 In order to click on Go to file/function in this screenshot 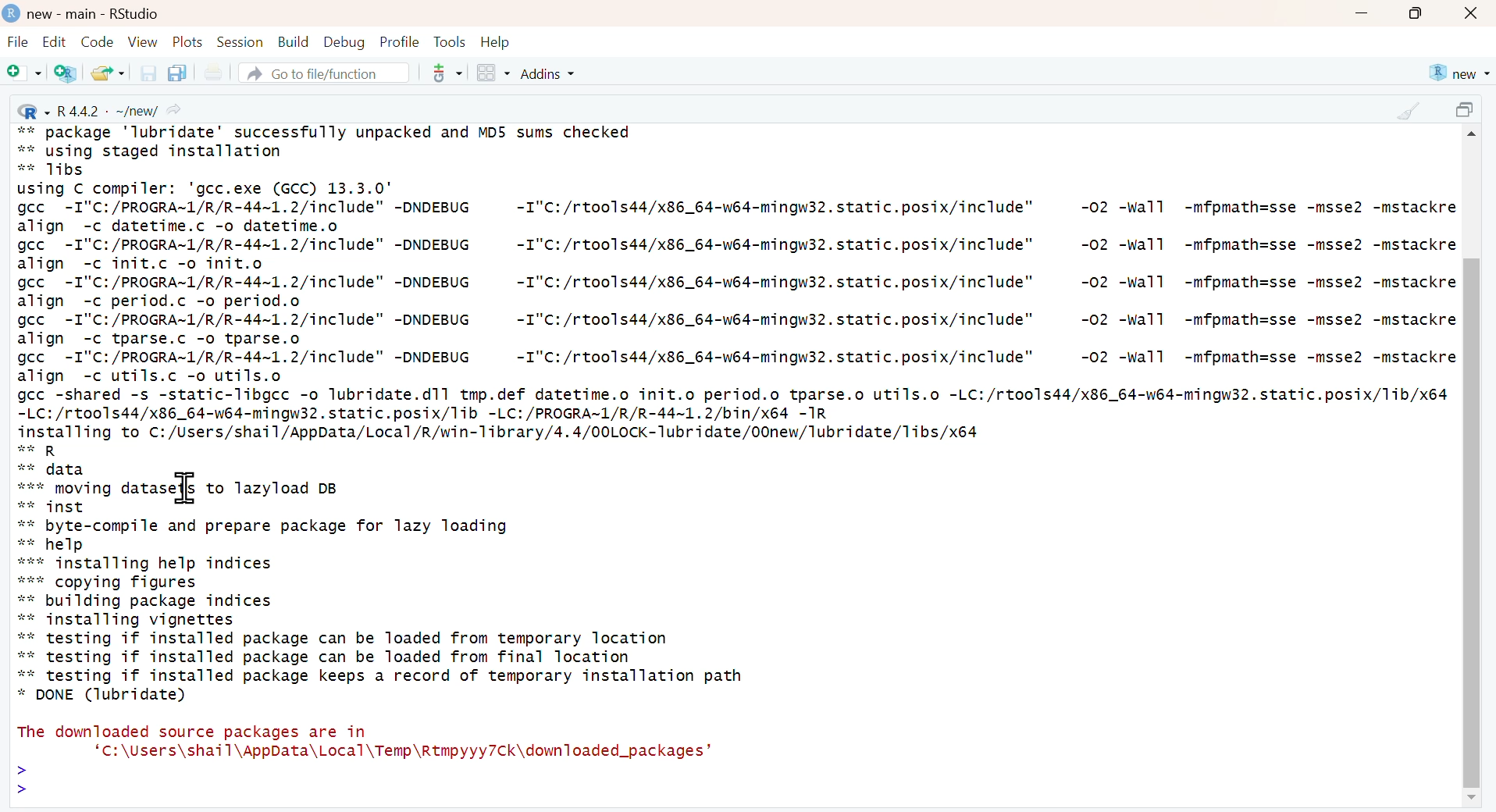, I will do `click(322, 73)`.